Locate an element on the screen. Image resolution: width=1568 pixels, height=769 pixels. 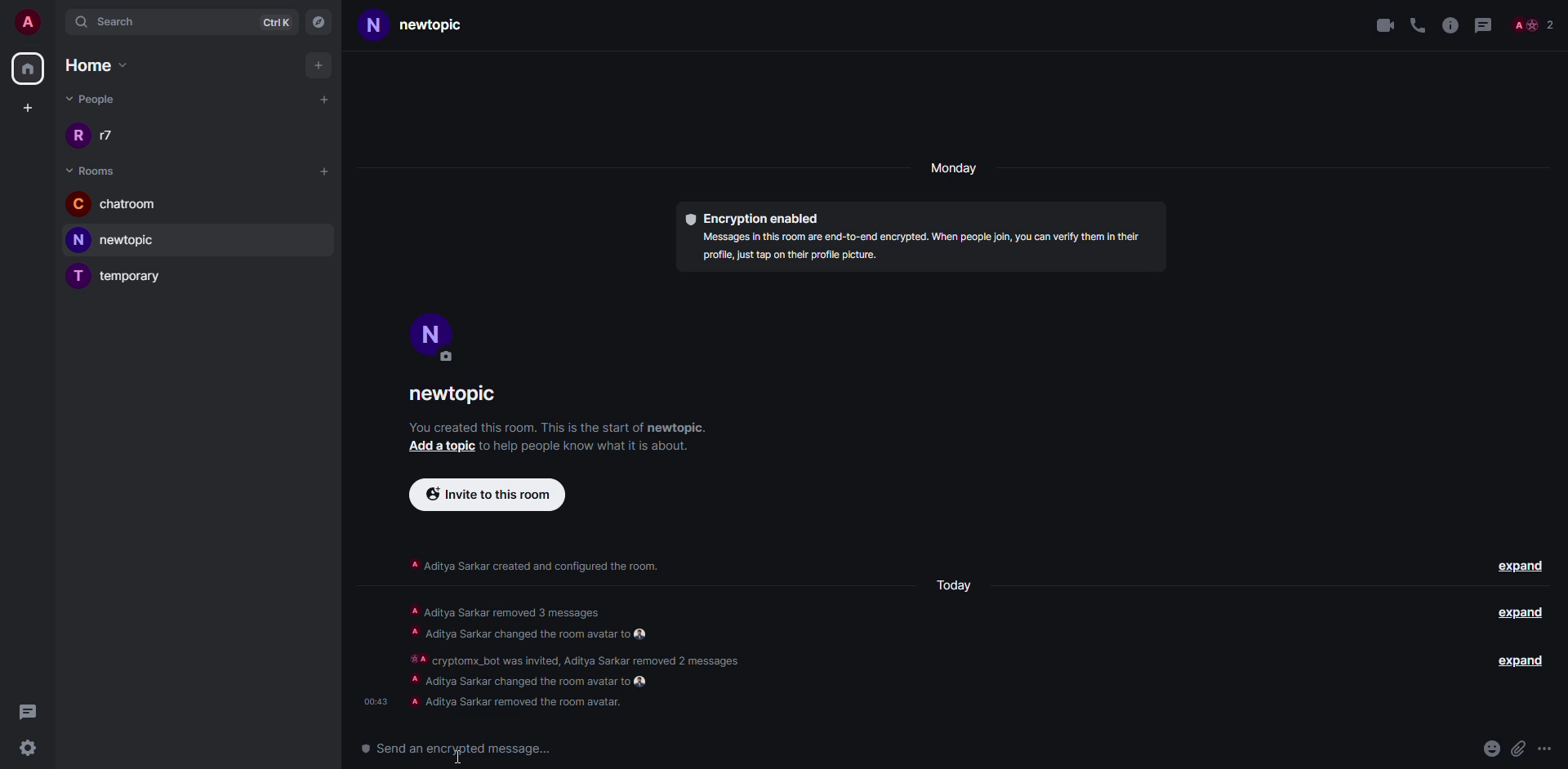
emoji is located at coordinates (1491, 749).